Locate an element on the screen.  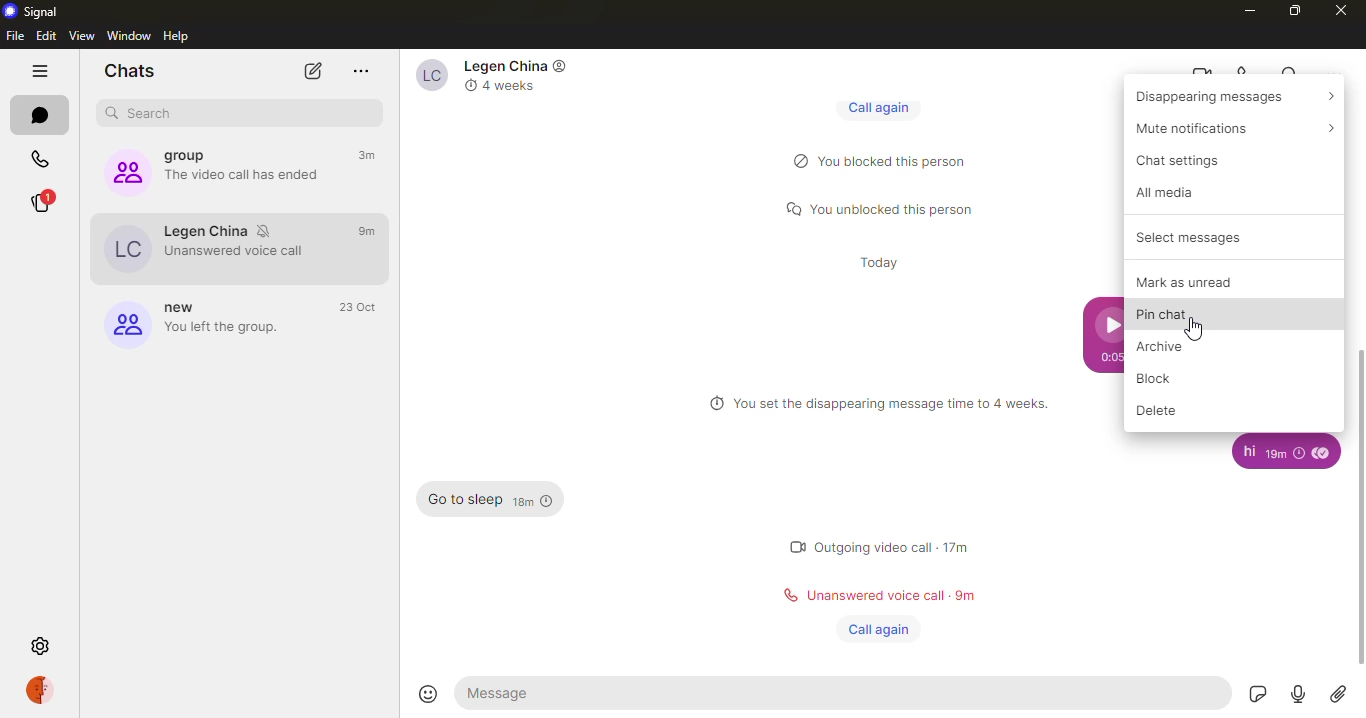
contact is located at coordinates (490, 75).